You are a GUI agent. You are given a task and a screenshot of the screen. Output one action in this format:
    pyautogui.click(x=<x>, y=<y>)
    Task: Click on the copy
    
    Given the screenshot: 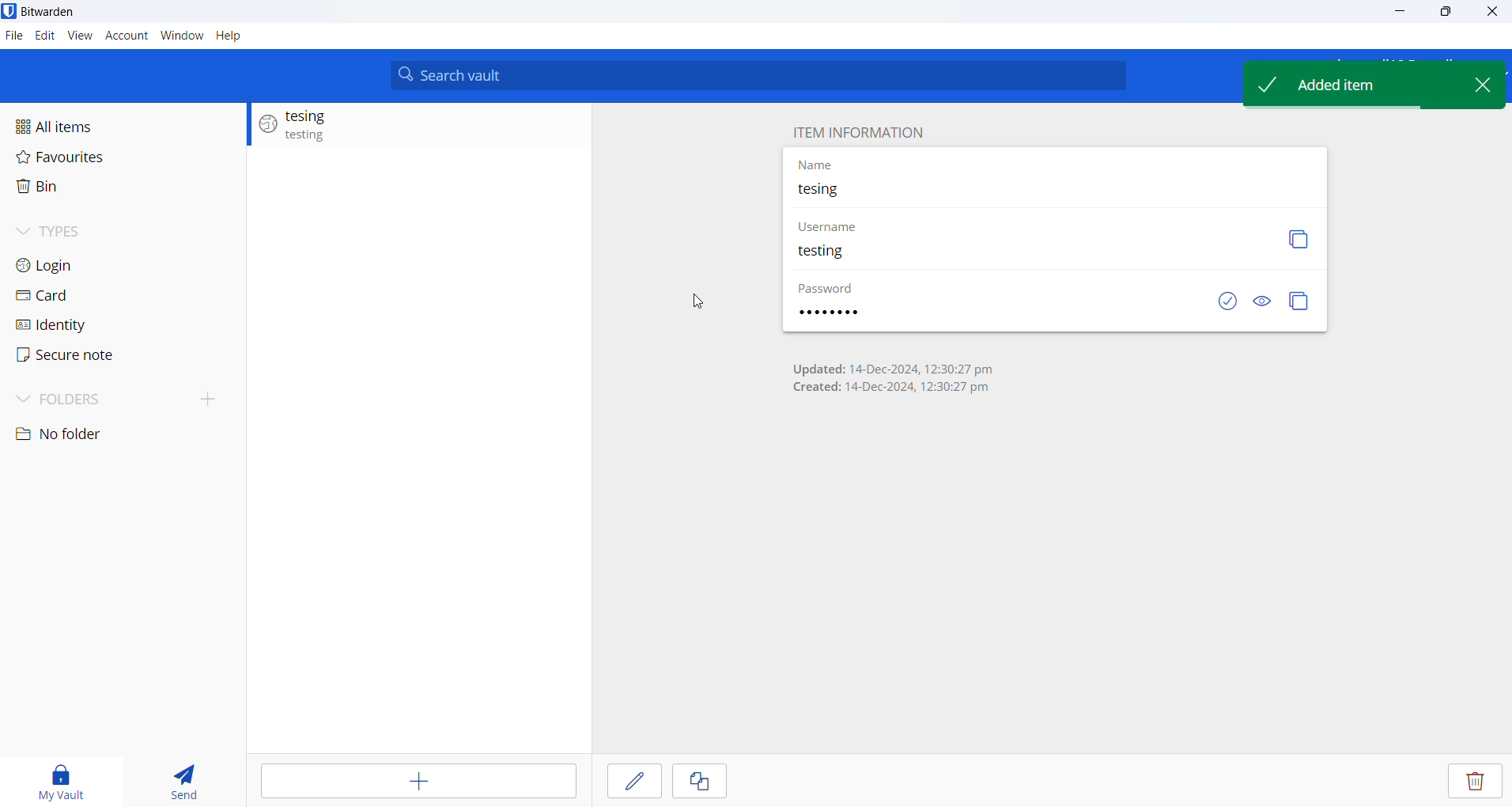 What is the action you would take?
    pyautogui.click(x=1302, y=305)
    